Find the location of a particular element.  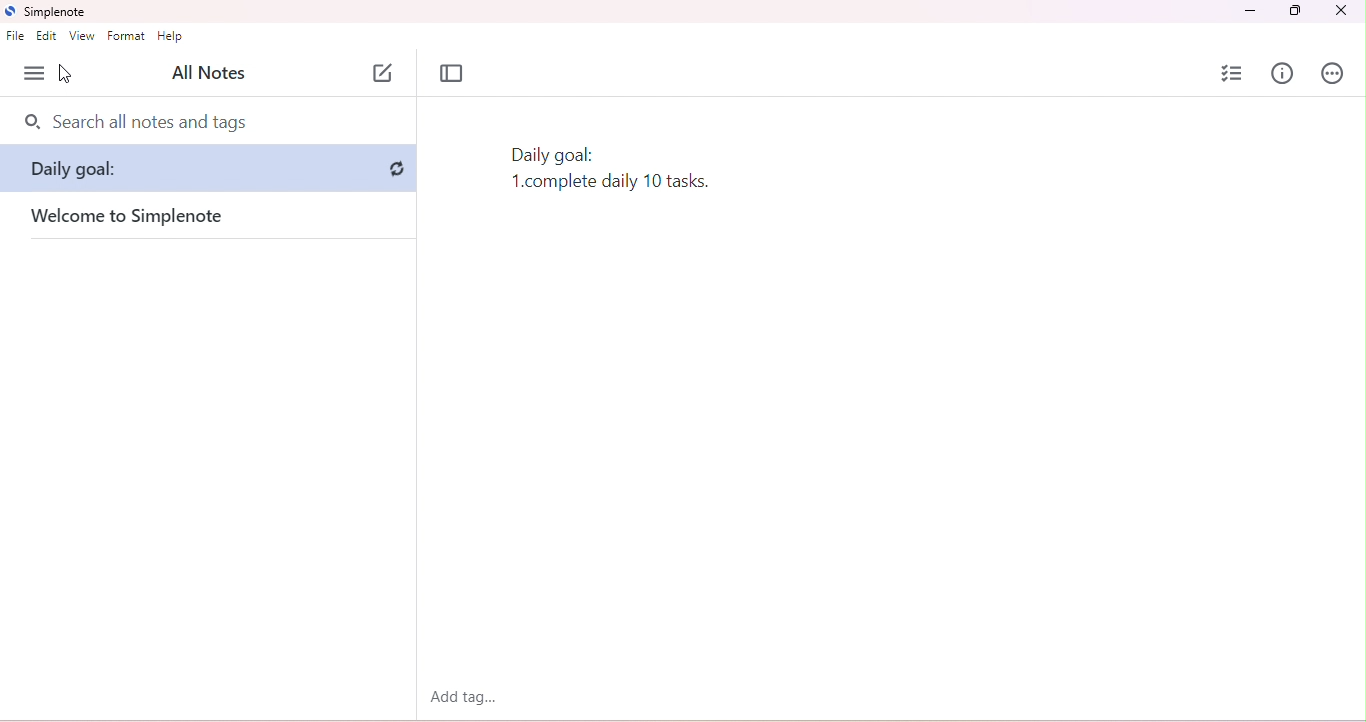

search bar is located at coordinates (210, 118).